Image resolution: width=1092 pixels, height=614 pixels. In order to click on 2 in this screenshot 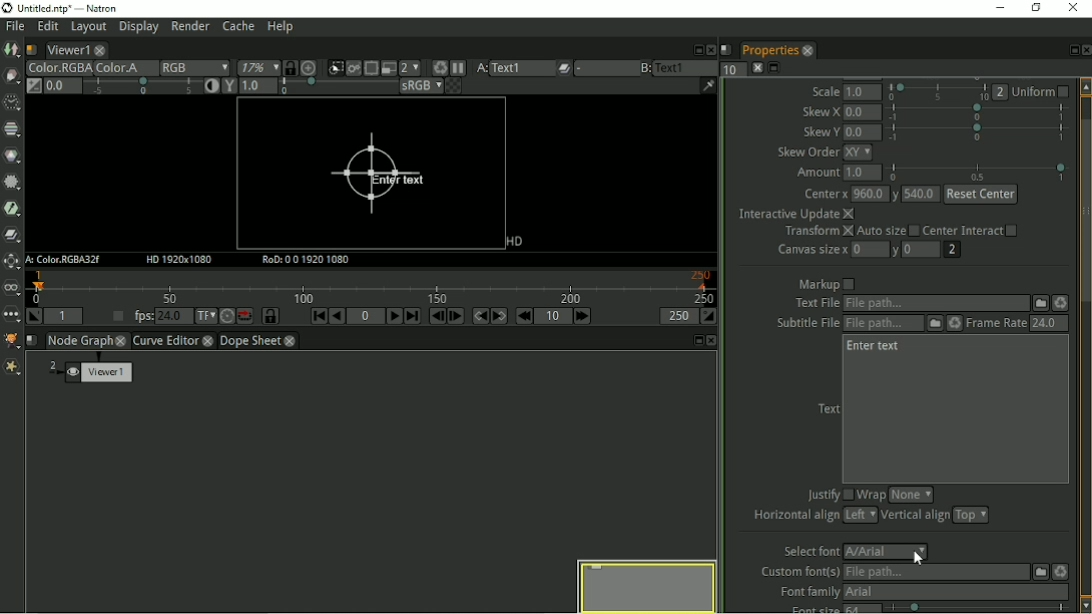, I will do `click(1001, 92)`.